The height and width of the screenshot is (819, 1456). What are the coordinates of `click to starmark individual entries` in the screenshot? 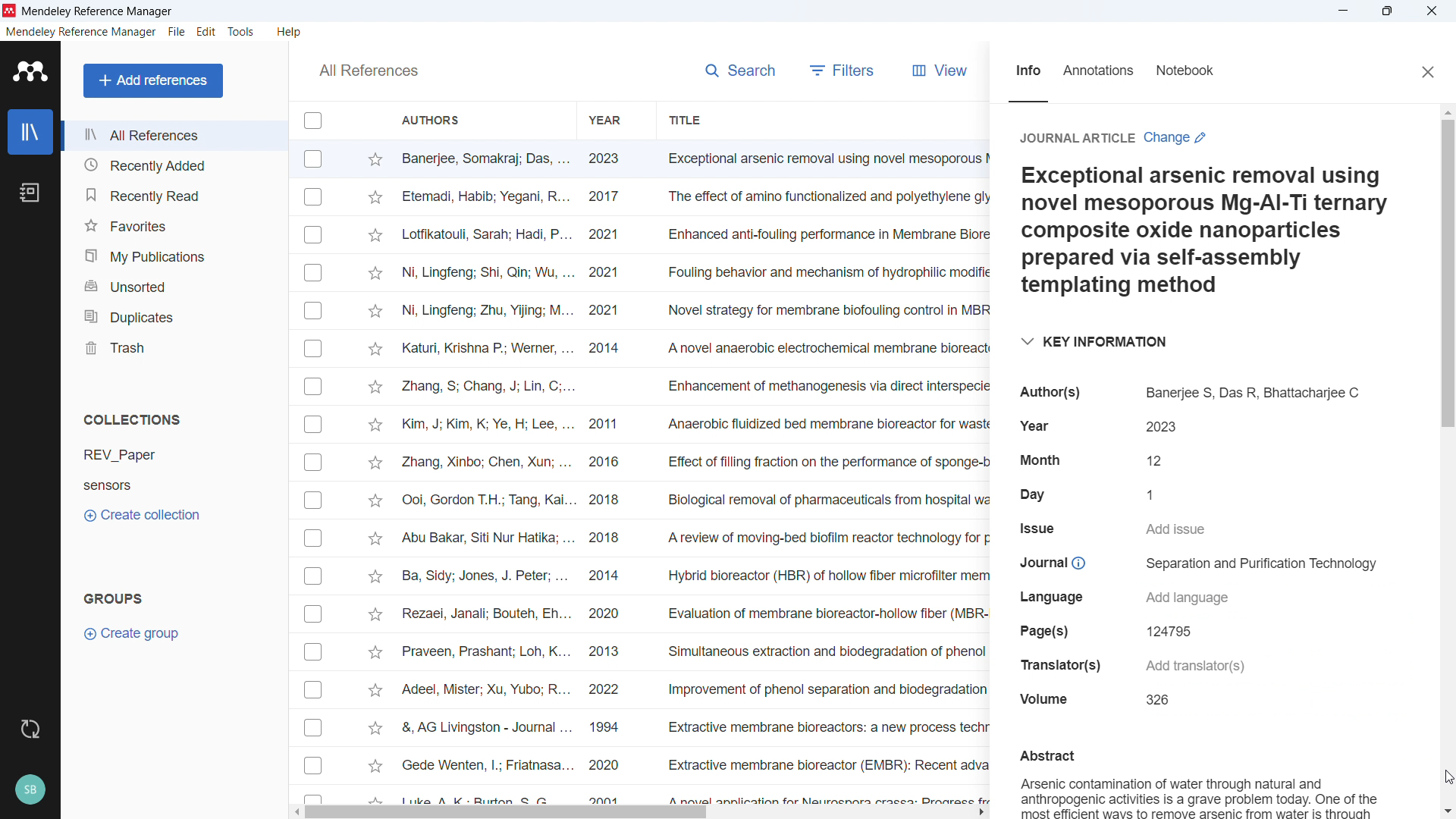 It's located at (375, 503).